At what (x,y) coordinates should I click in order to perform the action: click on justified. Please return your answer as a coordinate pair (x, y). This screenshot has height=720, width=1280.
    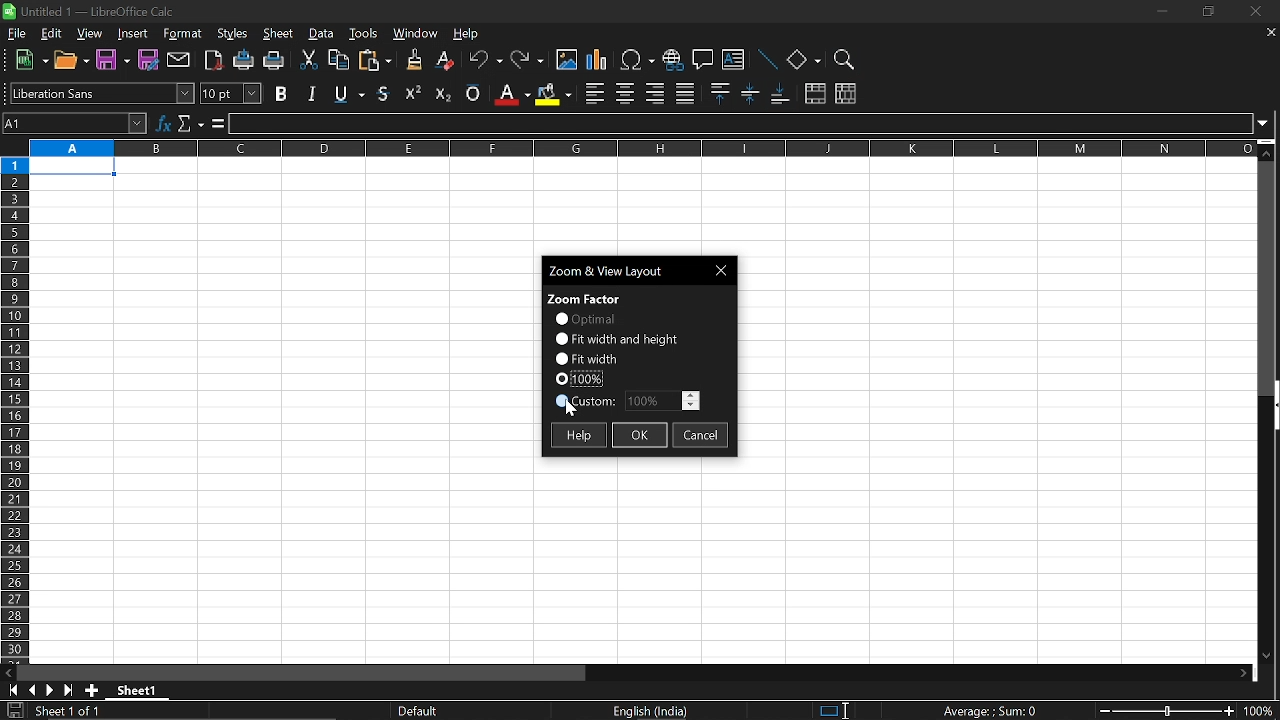
    Looking at the image, I should click on (686, 94).